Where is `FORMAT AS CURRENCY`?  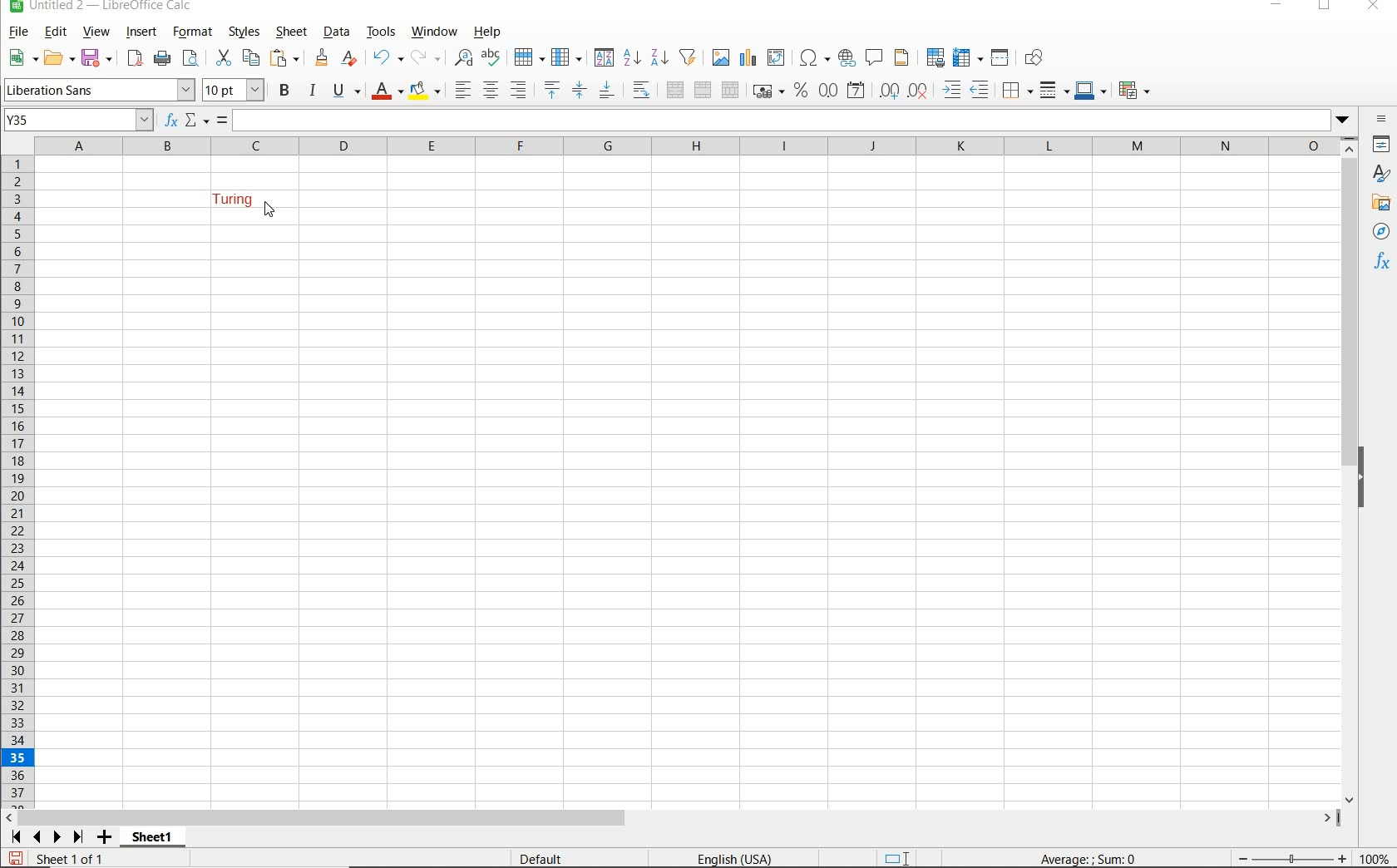 FORMAT AS CURRENCY is located at coordinates (766, 91).